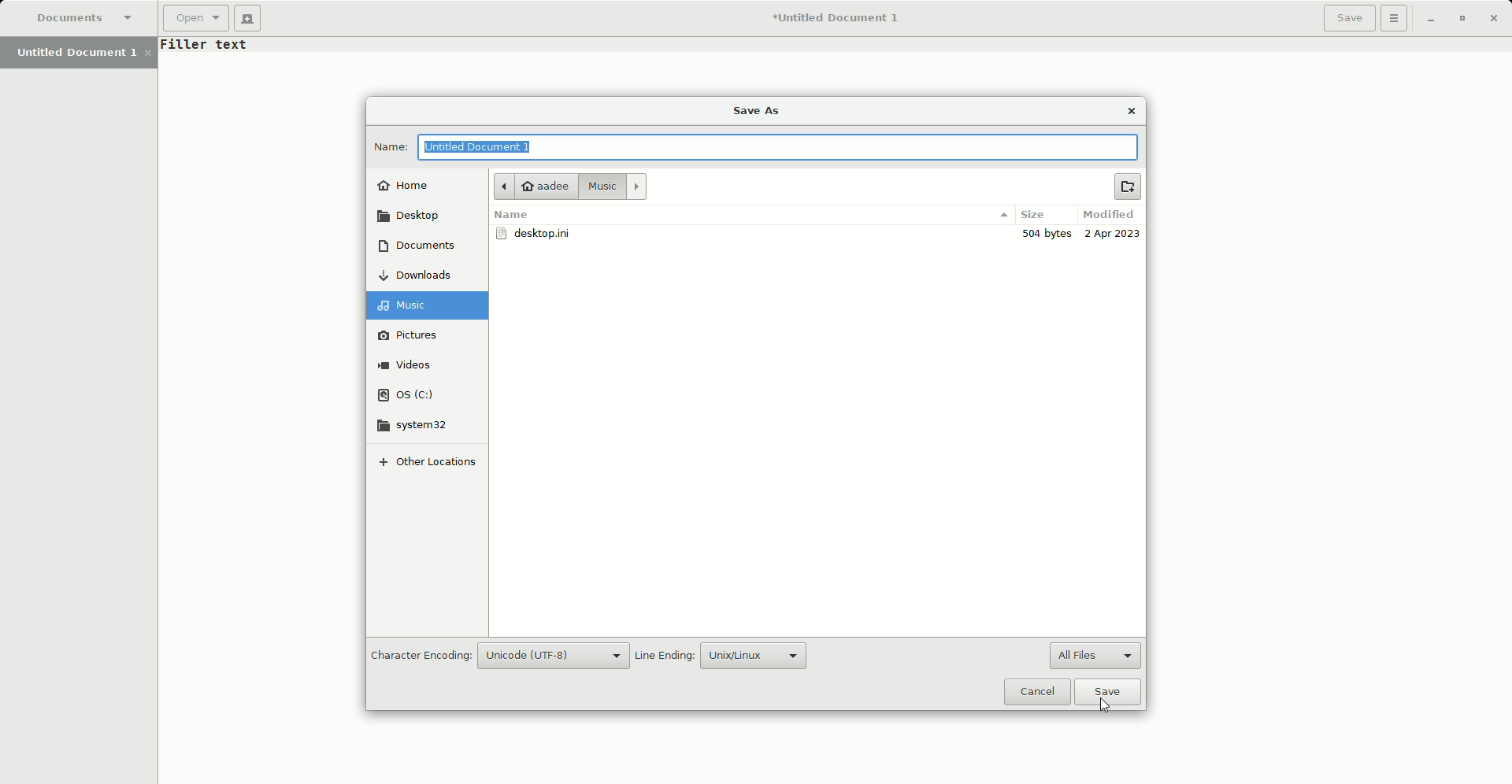 This screenshot has width=1512, height=784. Describe the element at coordinates (409, 218) in the screenshot. I see `Desktop` at that location.